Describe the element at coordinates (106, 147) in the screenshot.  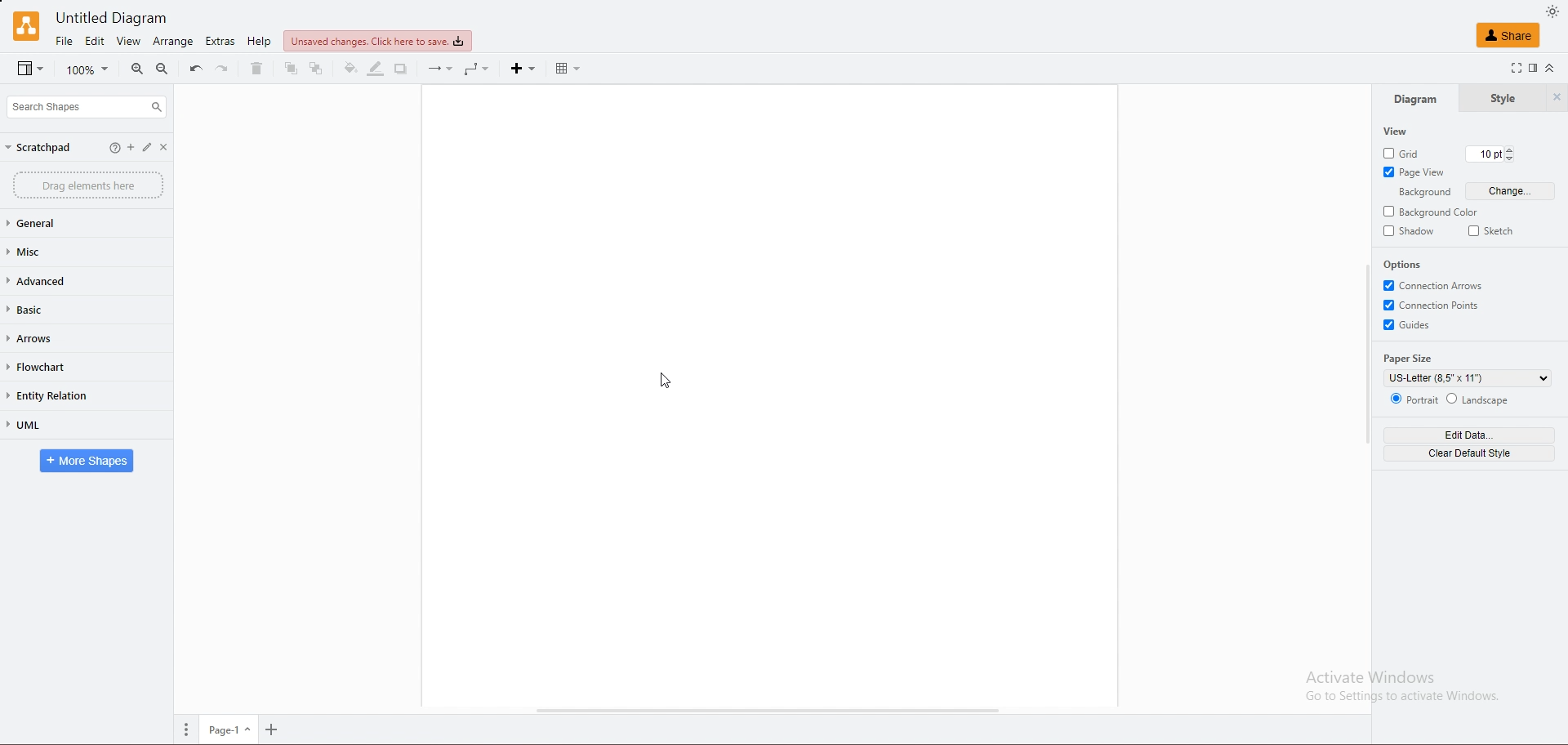
I see `help` at that location.